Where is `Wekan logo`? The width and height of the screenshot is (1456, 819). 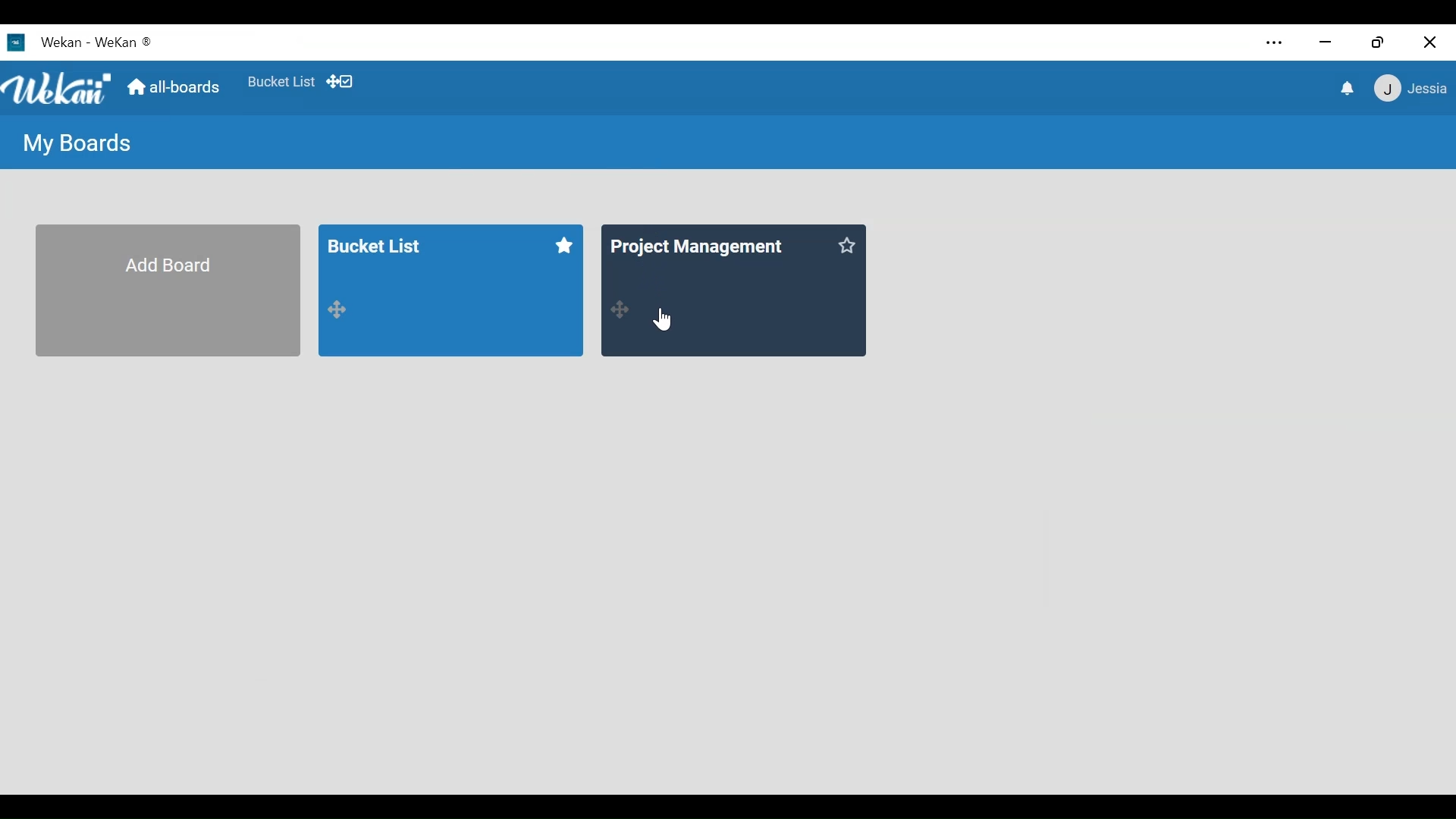 Wekan logo is located at coordinates (58, 89).